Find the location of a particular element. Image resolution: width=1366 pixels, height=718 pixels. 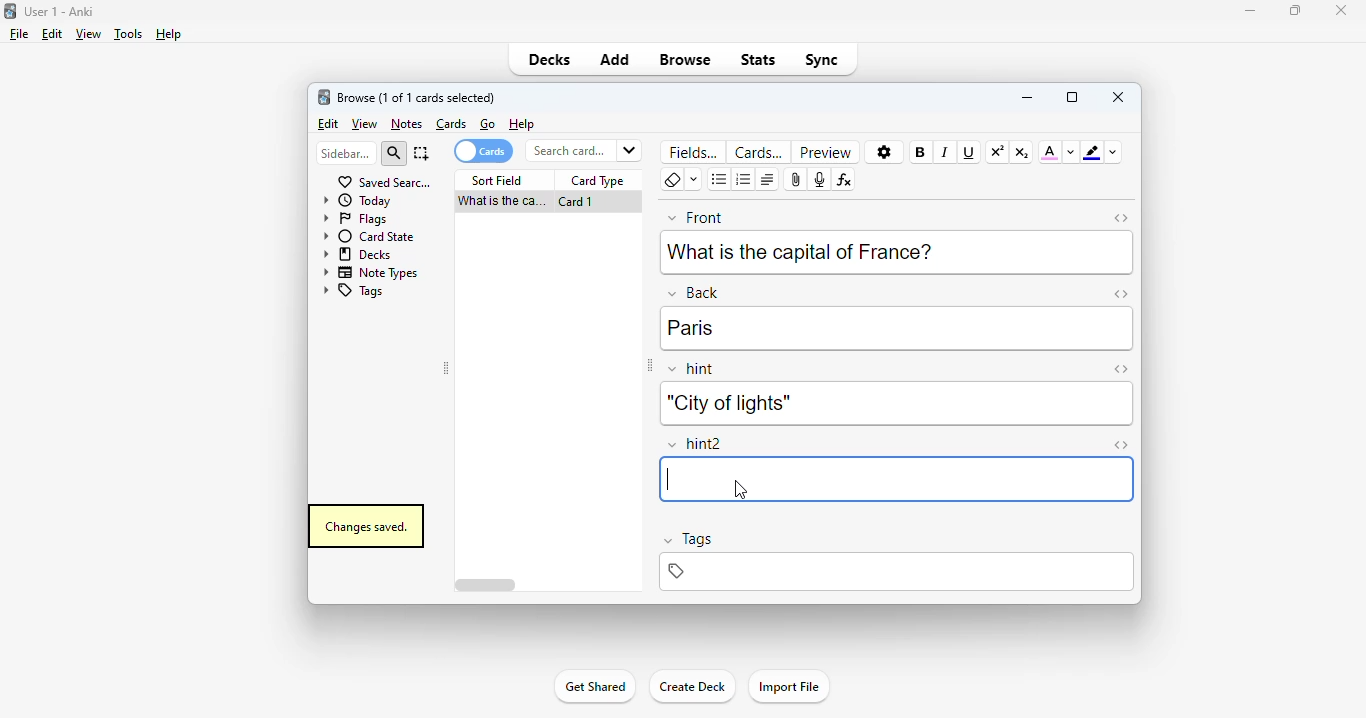

cards is located at coordinates (759, 152).